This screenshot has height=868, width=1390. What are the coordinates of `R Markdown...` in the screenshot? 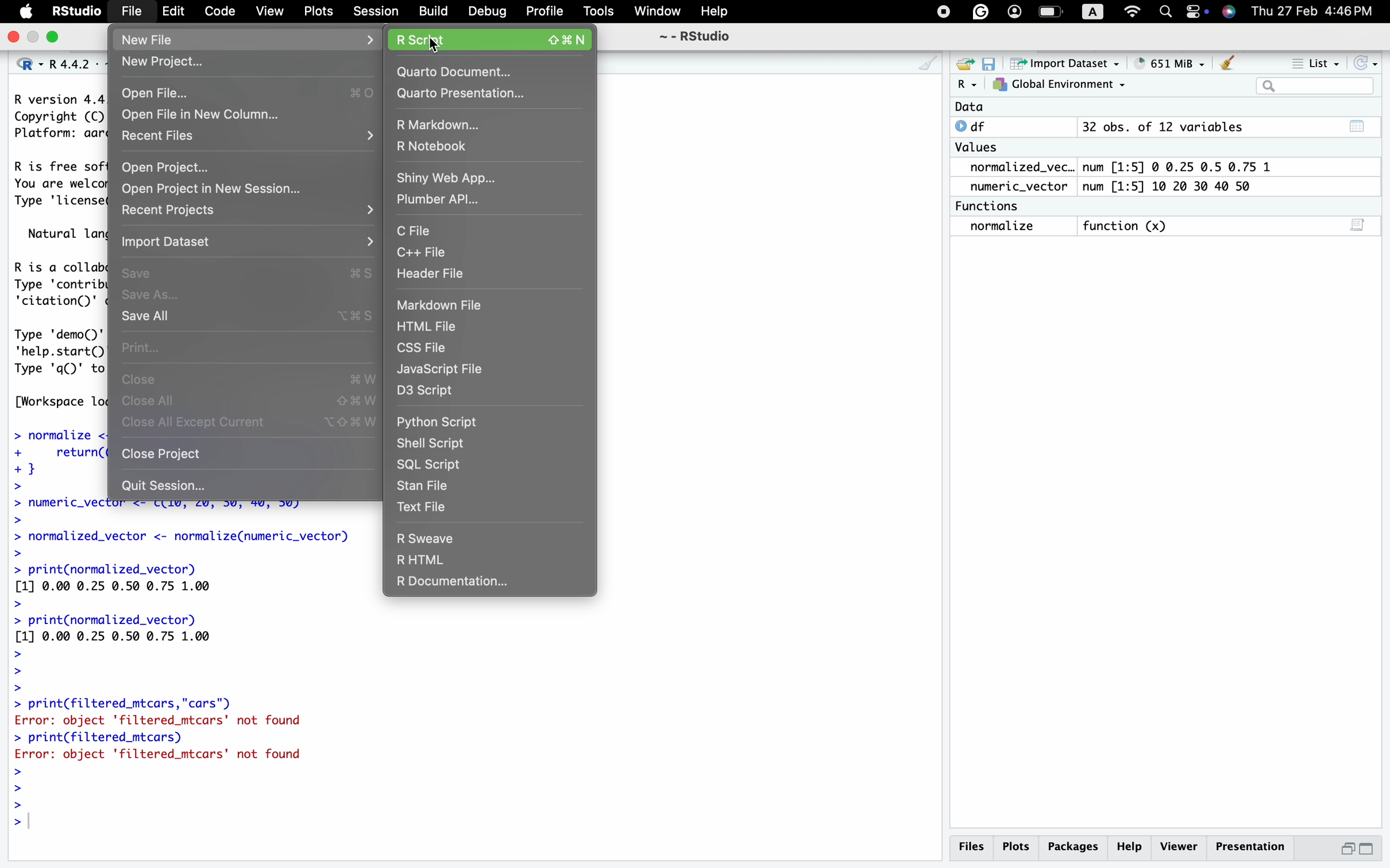 It's located at (443, 125).